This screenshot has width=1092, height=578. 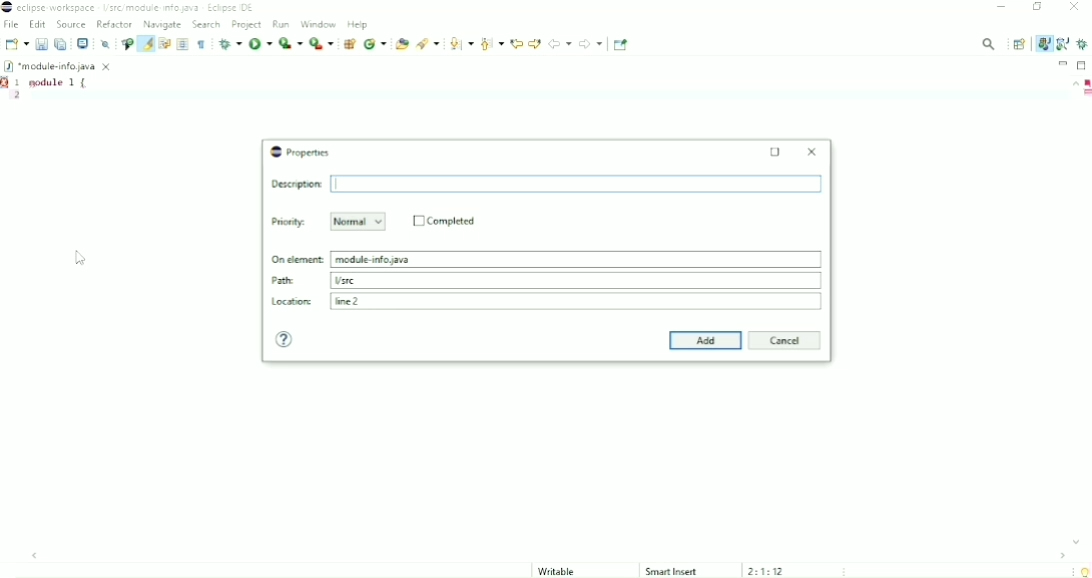 I want to click on Forward, so click(x=591, y=44).